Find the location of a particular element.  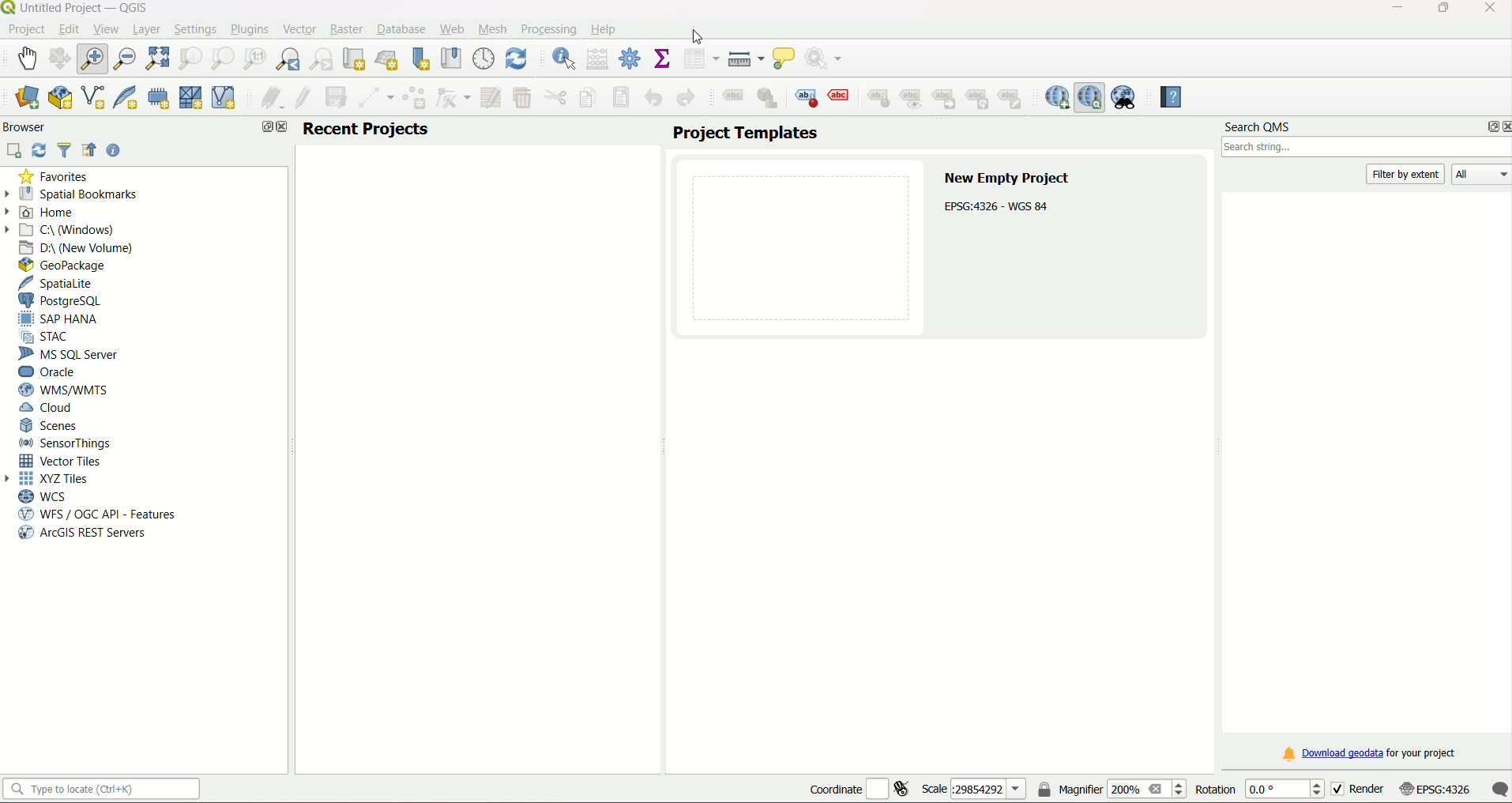

minimize/maximize is located at coordinates (1442, 9).